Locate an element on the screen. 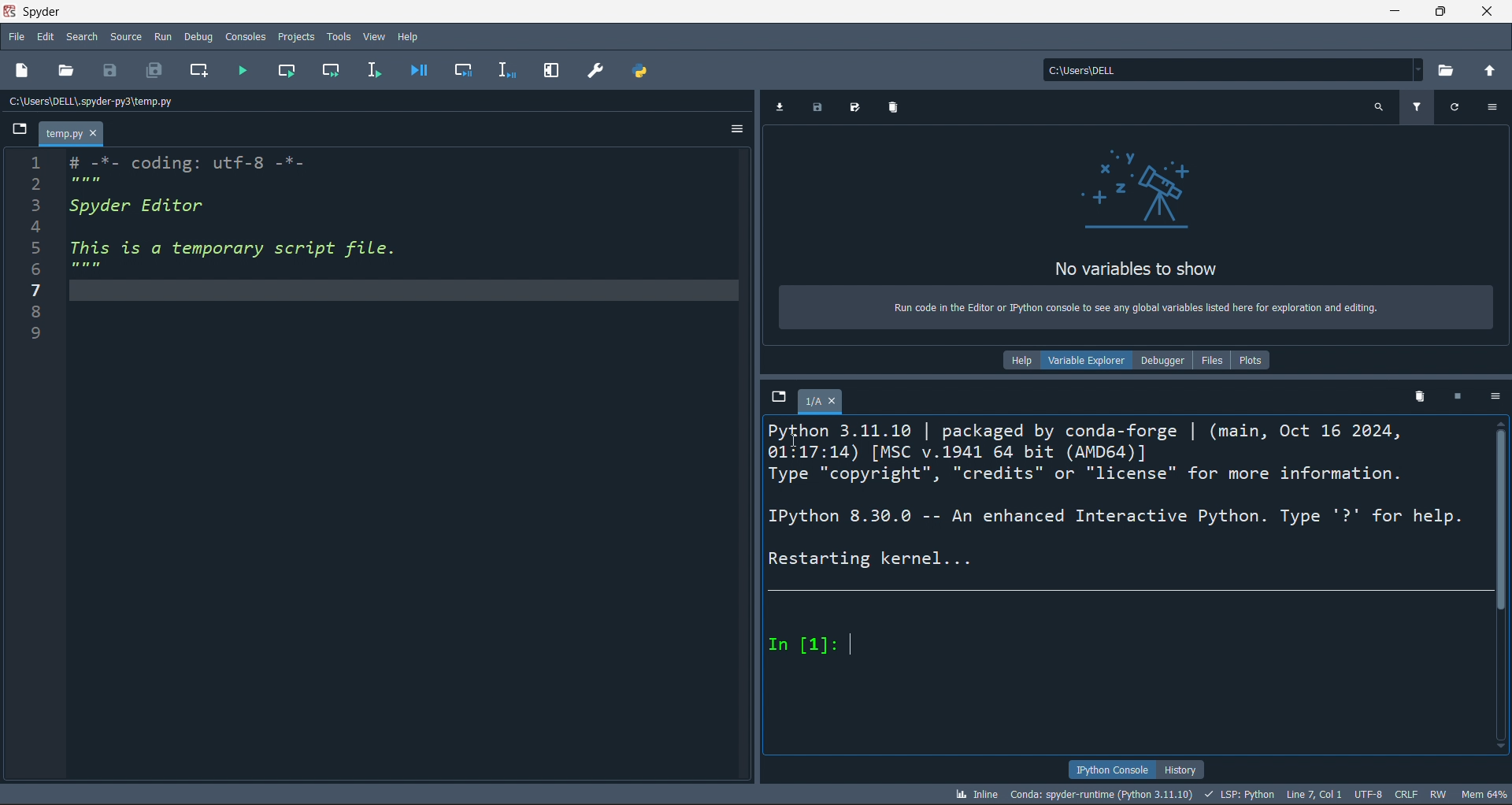 The height and width of the screenshot is (805, 1512). Help is located at coordinates (408, 36).